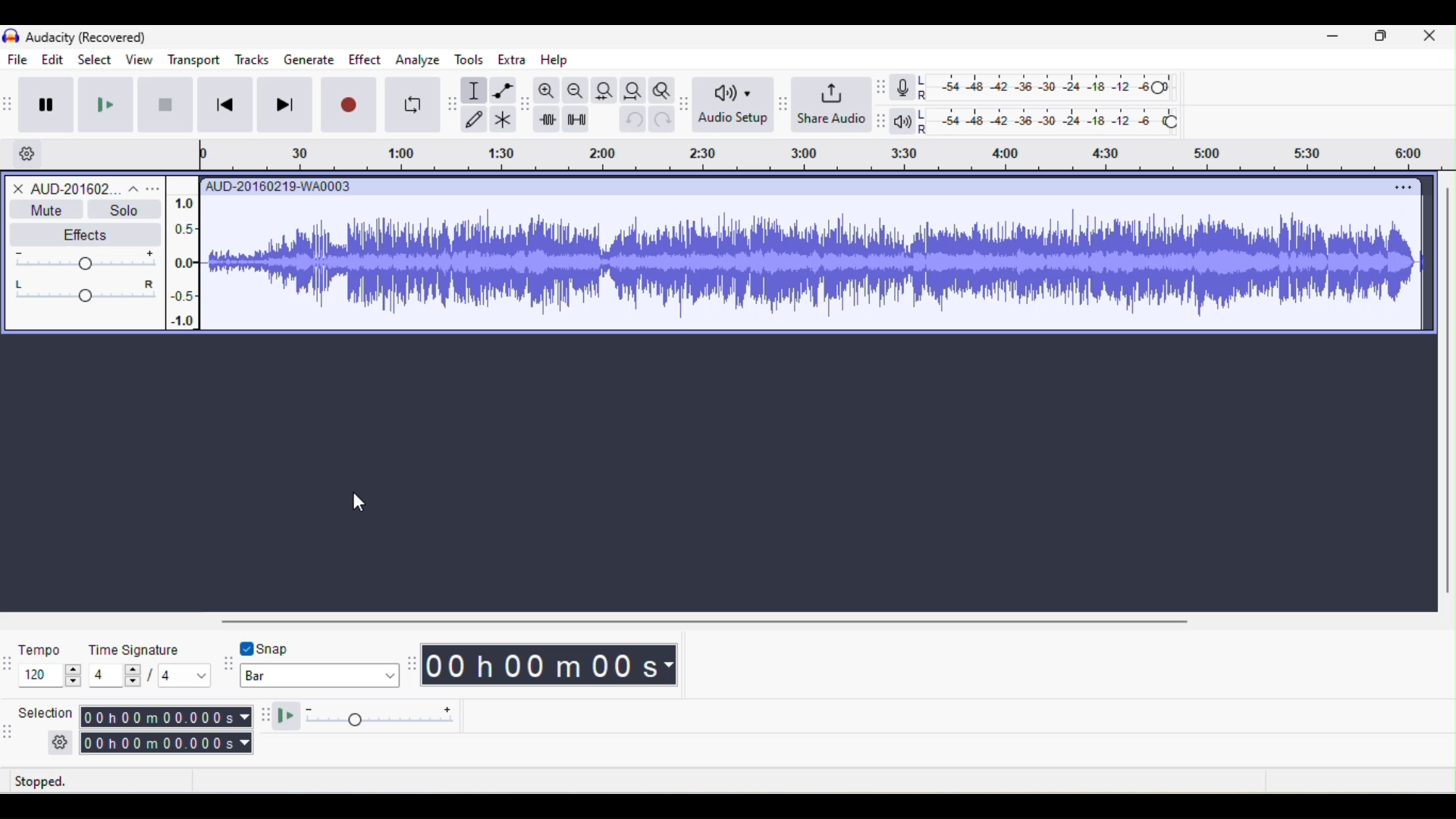 This screenshot has width=1456, height=819. Describe the element at coordinates (106, 105) in the screenshot. I see `play` at that location.